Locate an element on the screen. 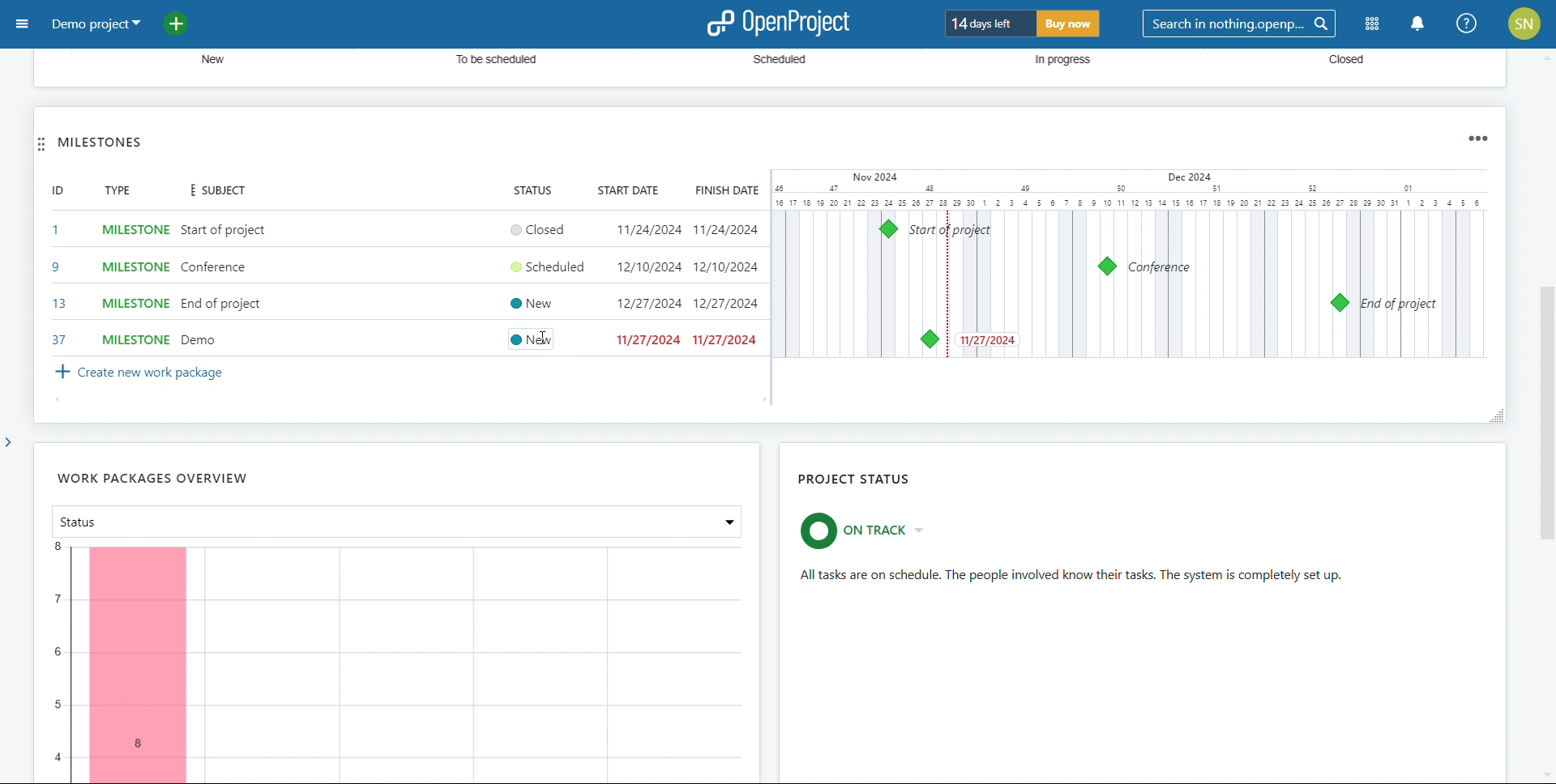 Image resolution: width=1556 pixels, height=784 pixels. status is located at coordinates (1074, 576).